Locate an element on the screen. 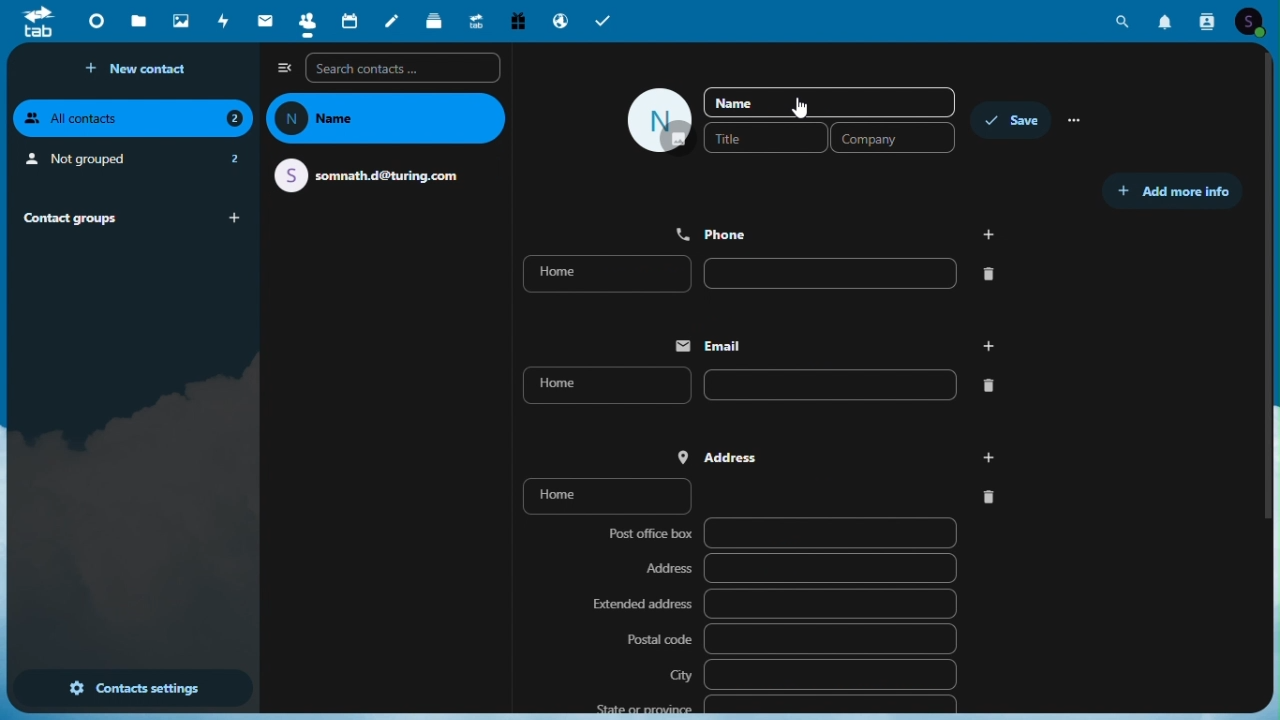 The height and width of the screenshot is (720, 1280). Contacts is located at coordinates (1210, 22).